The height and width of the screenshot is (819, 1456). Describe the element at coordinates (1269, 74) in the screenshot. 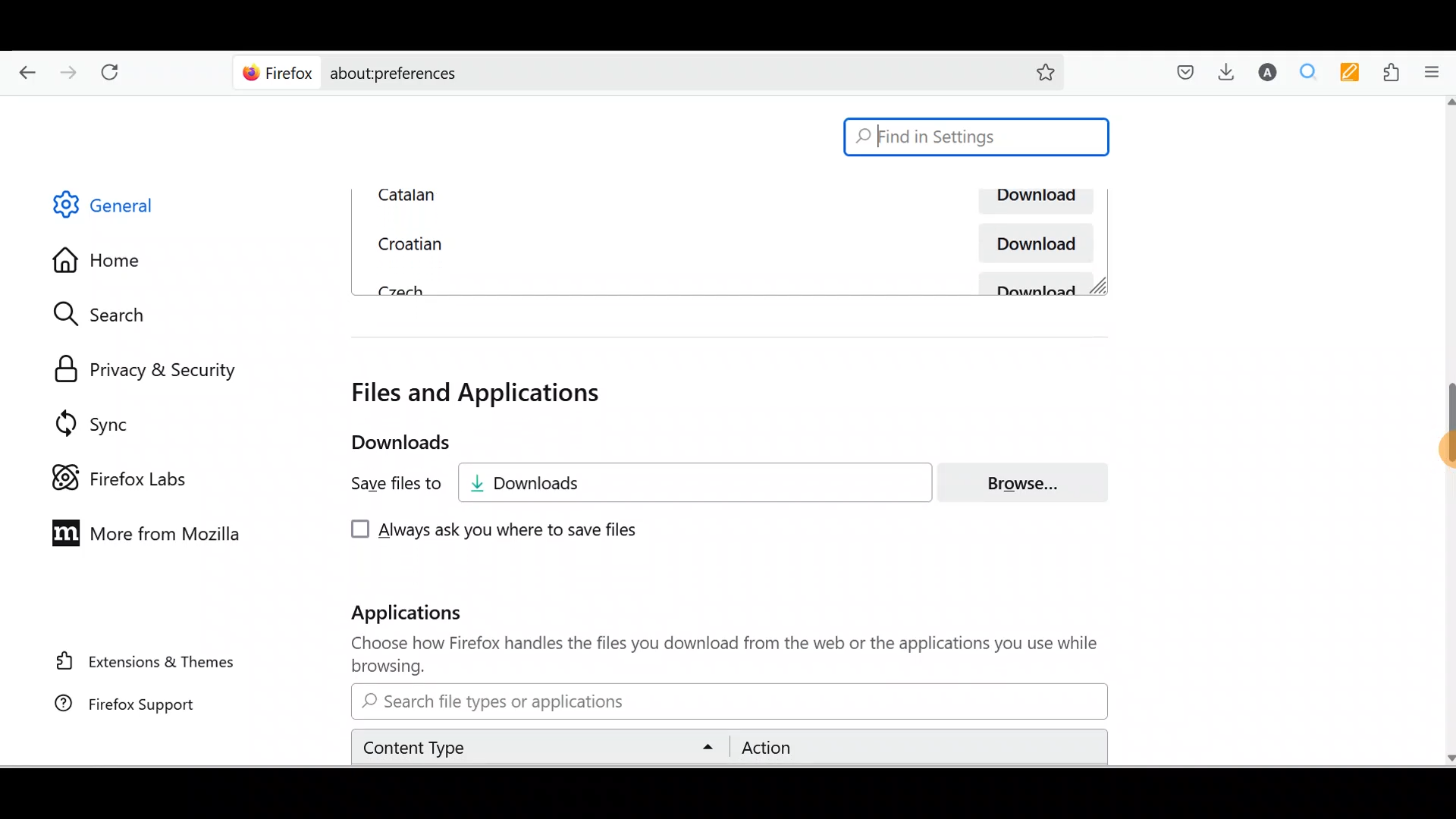

I see `Account` at that location.